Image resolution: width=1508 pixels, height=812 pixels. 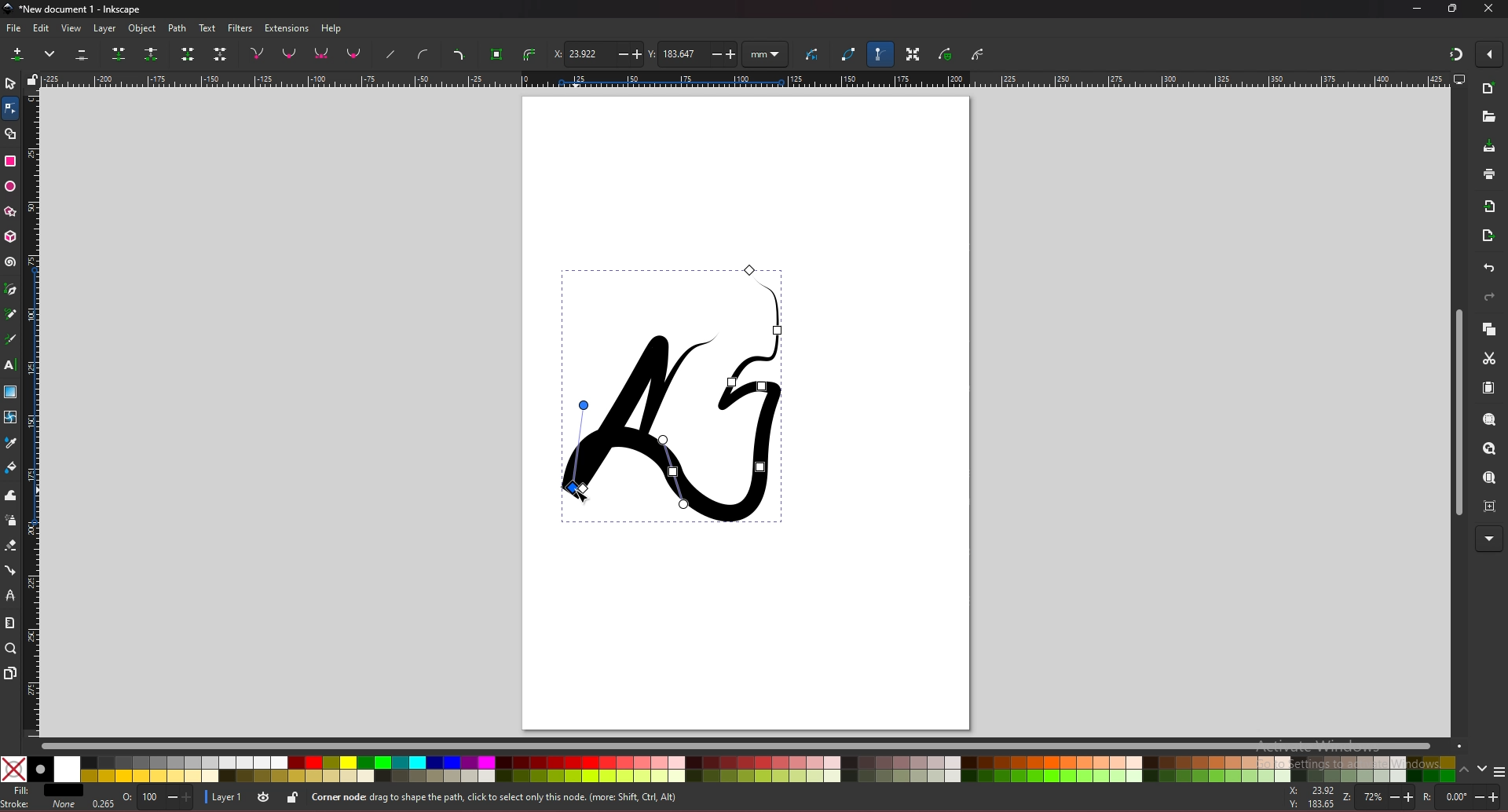 I want to click on zoom page, so click(x=1490, y=477).